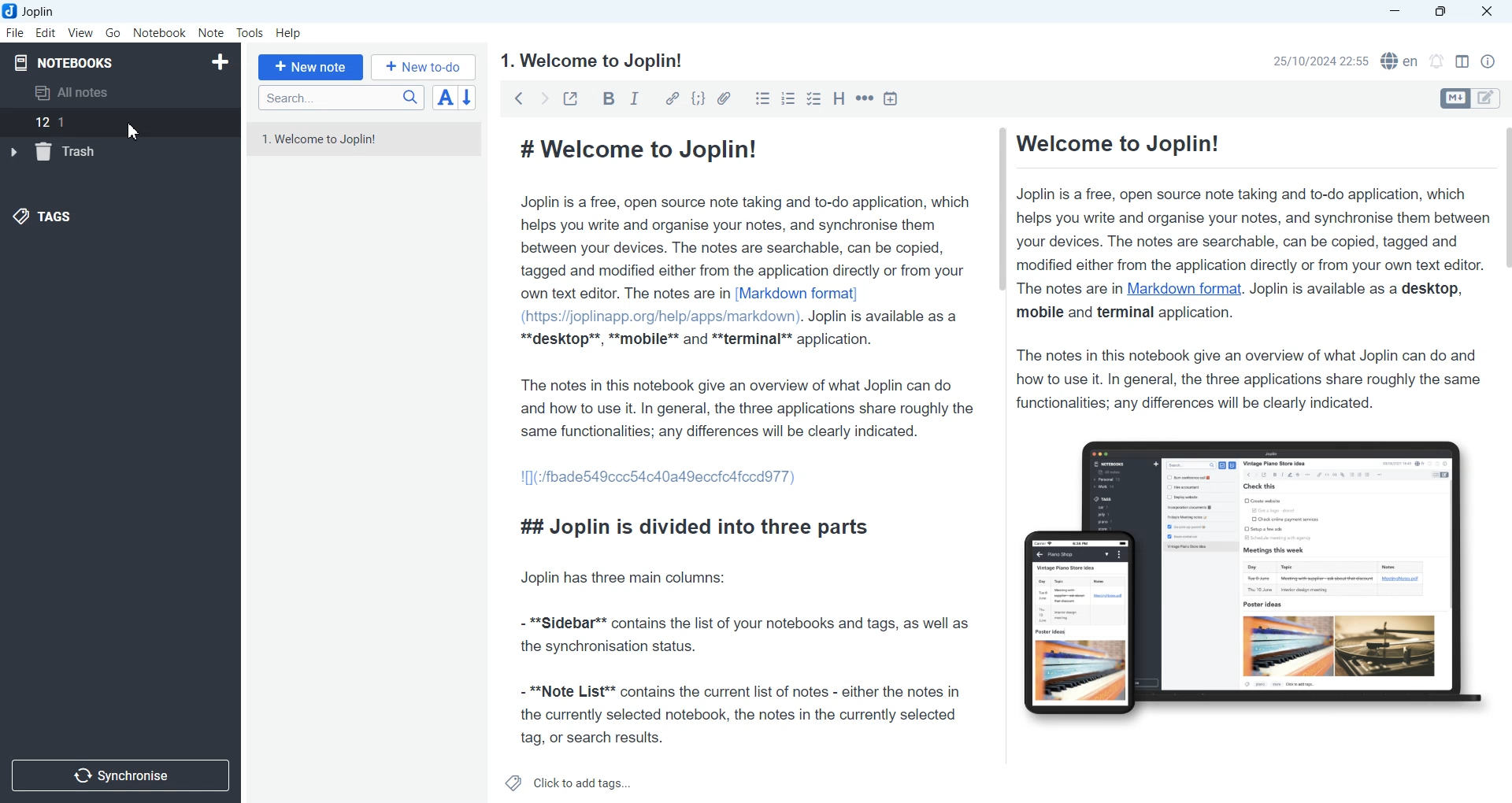 The width and height of the screenshot is (1512, 803). What do you see at coordinates (543, 98) in the screenshot?
I see `Forward` at bounding box center [543, 98].